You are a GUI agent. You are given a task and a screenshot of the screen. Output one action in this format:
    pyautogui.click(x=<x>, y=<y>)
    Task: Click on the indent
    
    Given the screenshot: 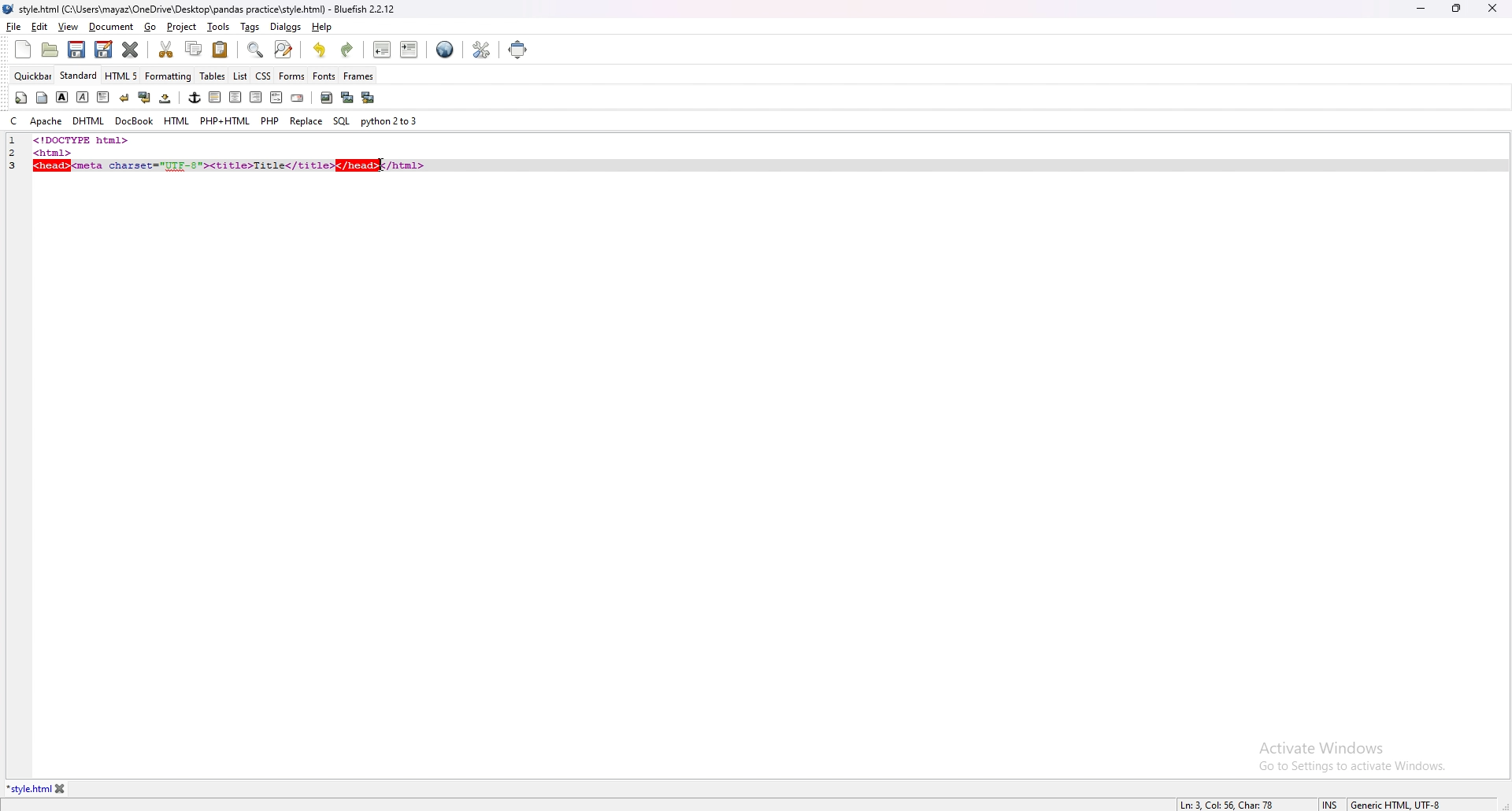 What is the action you would take?
    pyautogui.click(x=409, y=49)
    